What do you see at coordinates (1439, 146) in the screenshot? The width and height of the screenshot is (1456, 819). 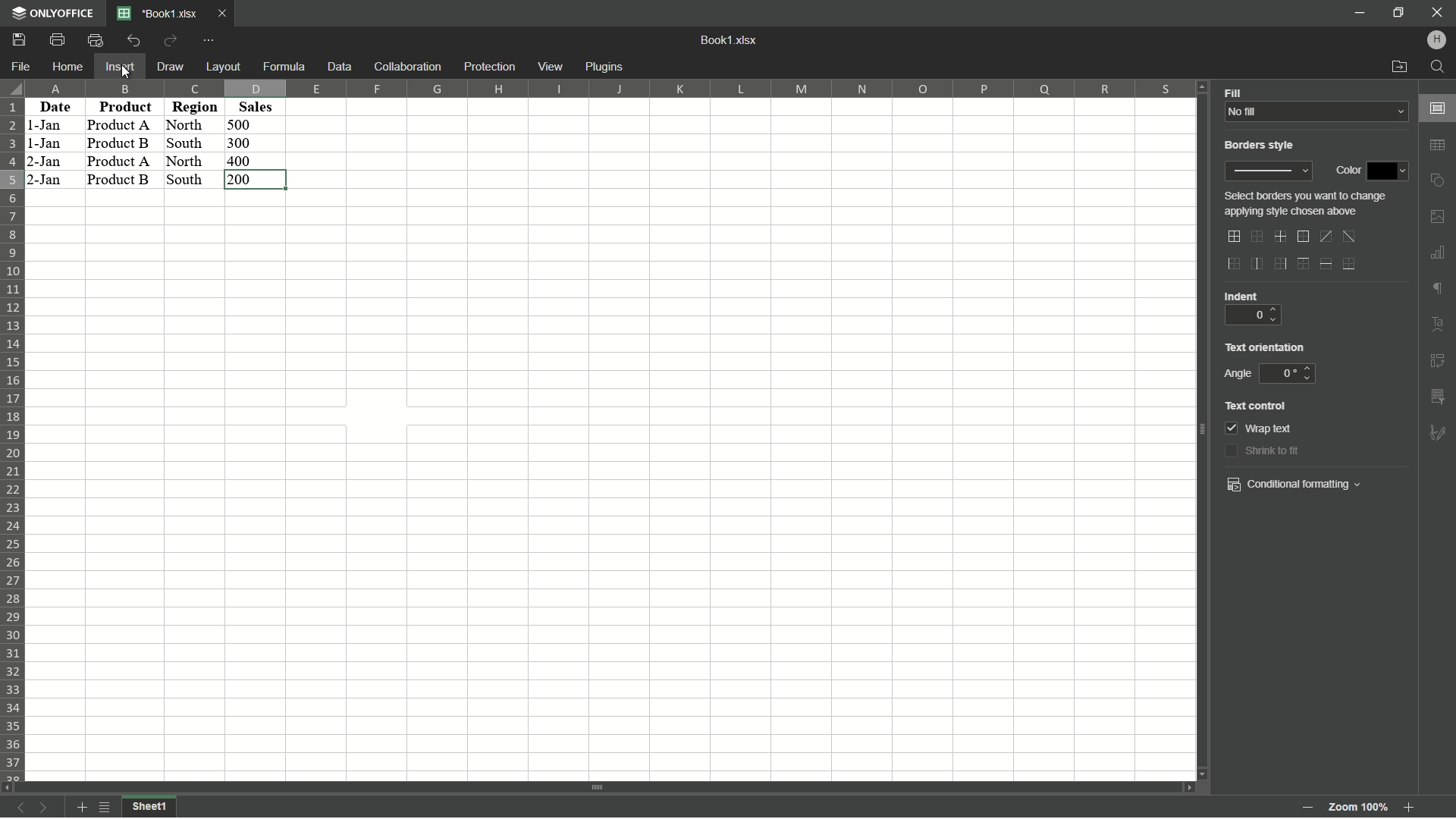 I see `insert table` at bounding box center [1439, 146].